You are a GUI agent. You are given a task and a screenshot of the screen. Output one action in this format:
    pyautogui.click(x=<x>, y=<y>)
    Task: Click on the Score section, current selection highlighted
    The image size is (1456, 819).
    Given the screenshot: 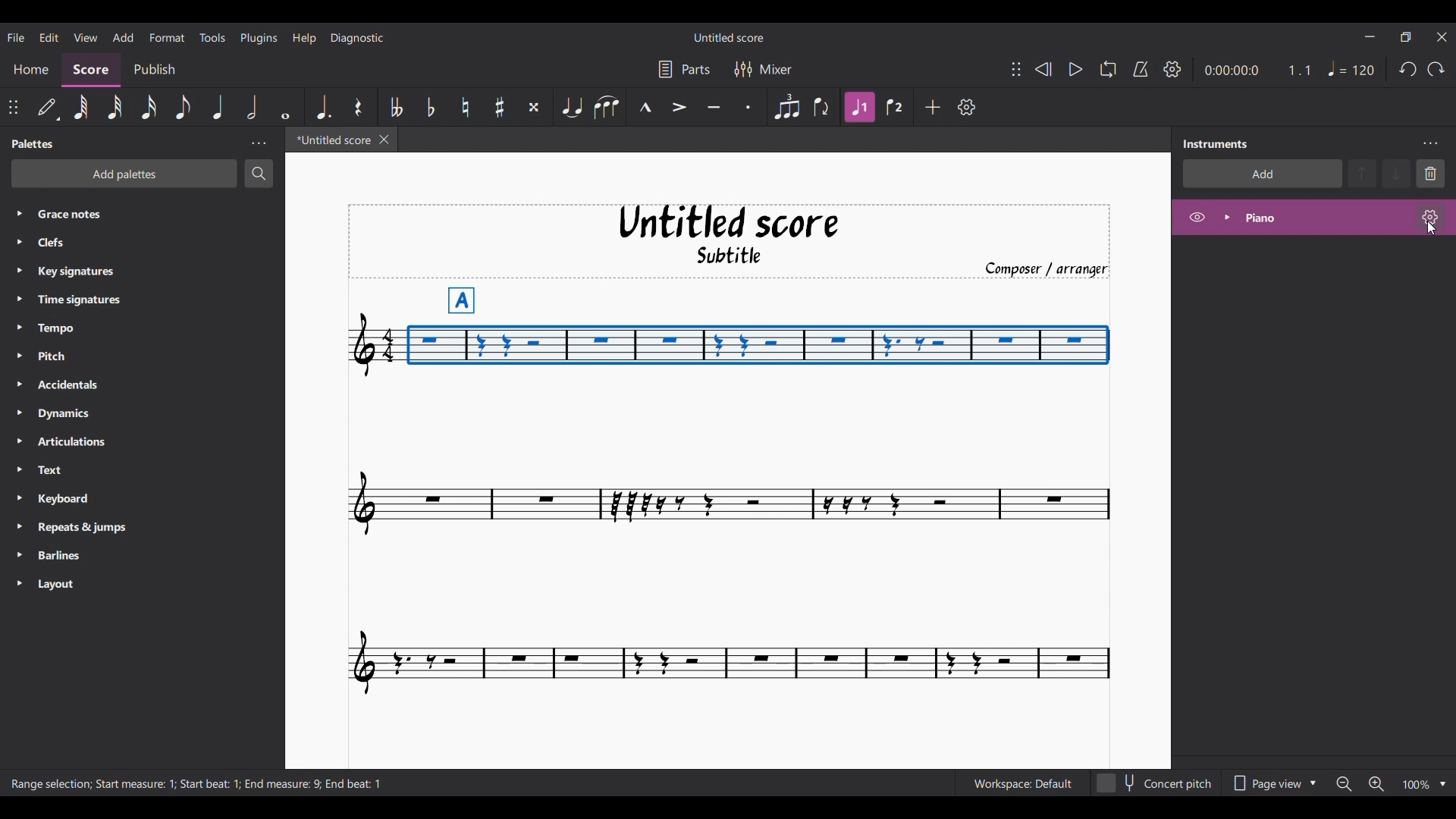 What is the action you would take?
    pyautogui.click(x=94, y=68)
    